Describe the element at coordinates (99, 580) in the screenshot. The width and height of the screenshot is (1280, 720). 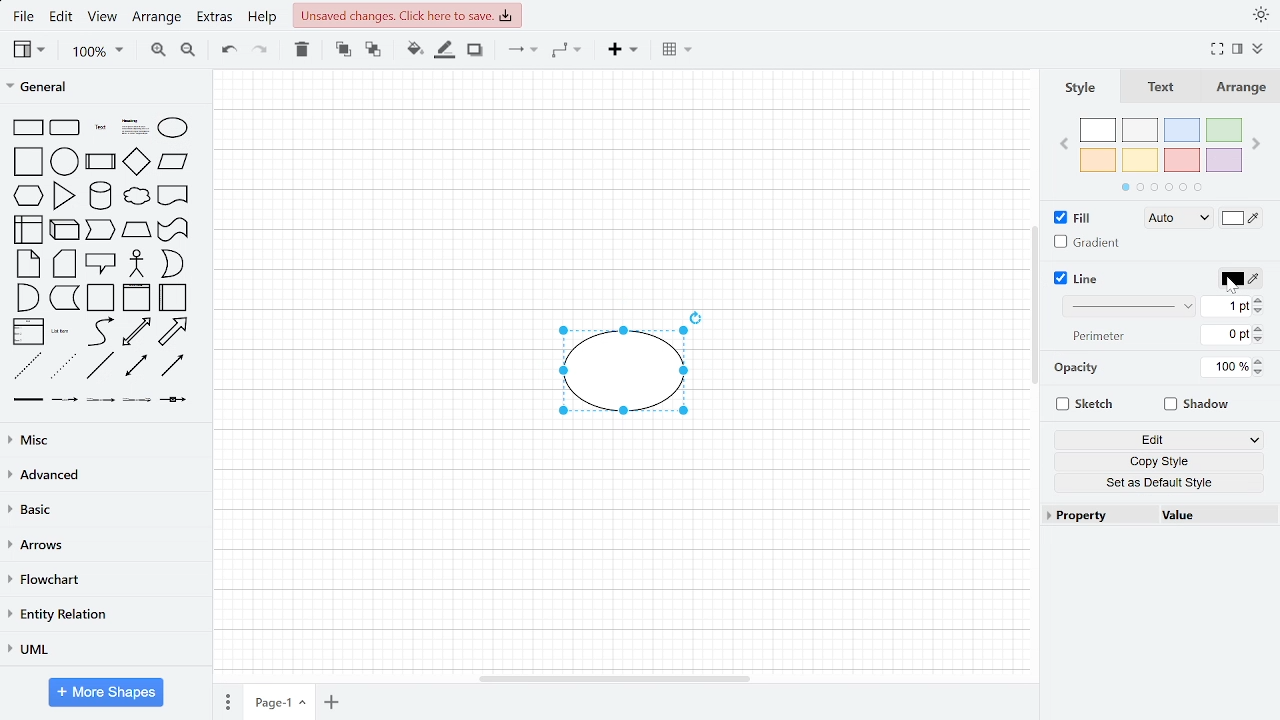
I see `flowchart` at that location.